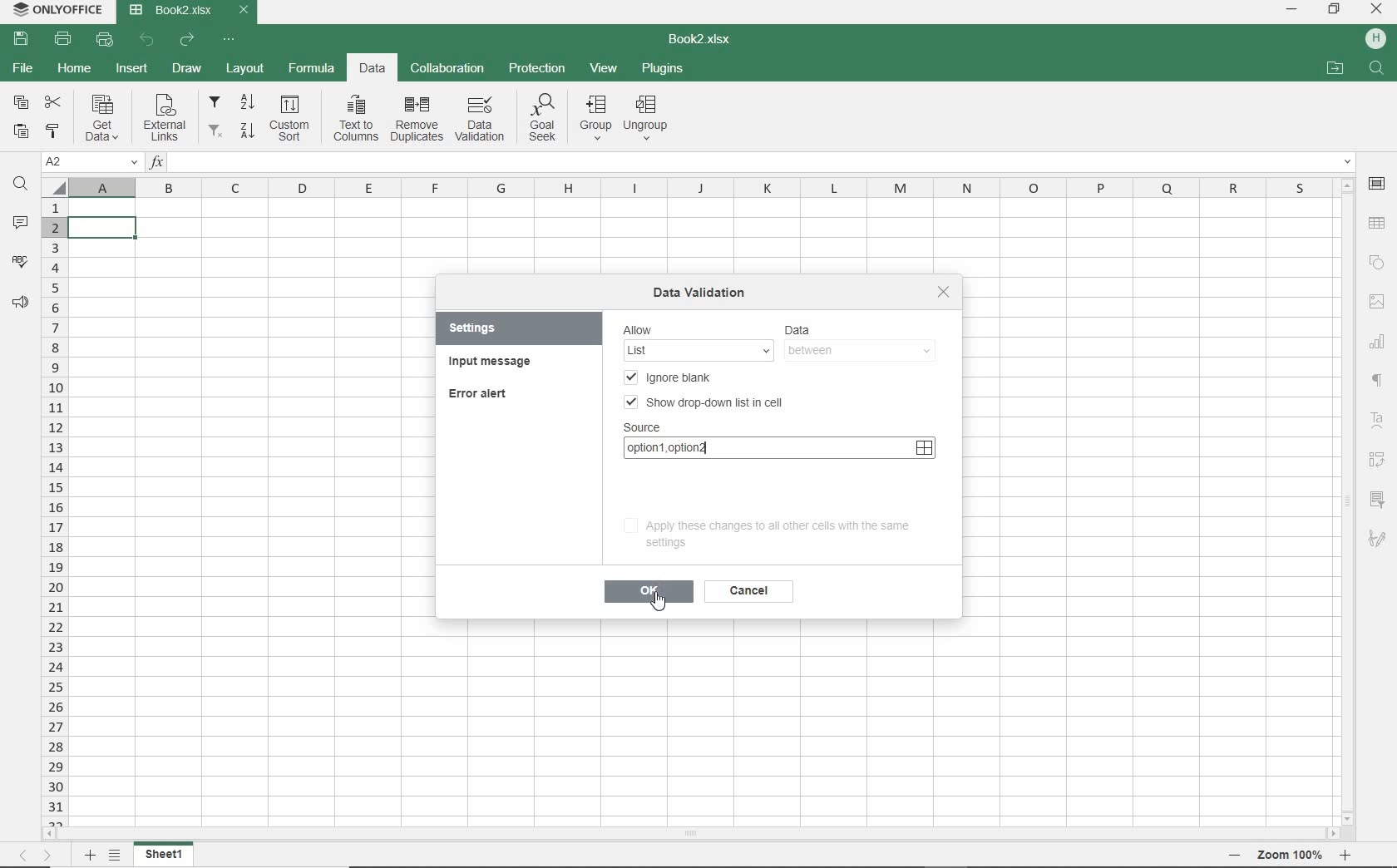 This screenshot has width=1397, height=868. Describe the element at coordinates (216, 102) in the screenshot. I see `filter` at that location.